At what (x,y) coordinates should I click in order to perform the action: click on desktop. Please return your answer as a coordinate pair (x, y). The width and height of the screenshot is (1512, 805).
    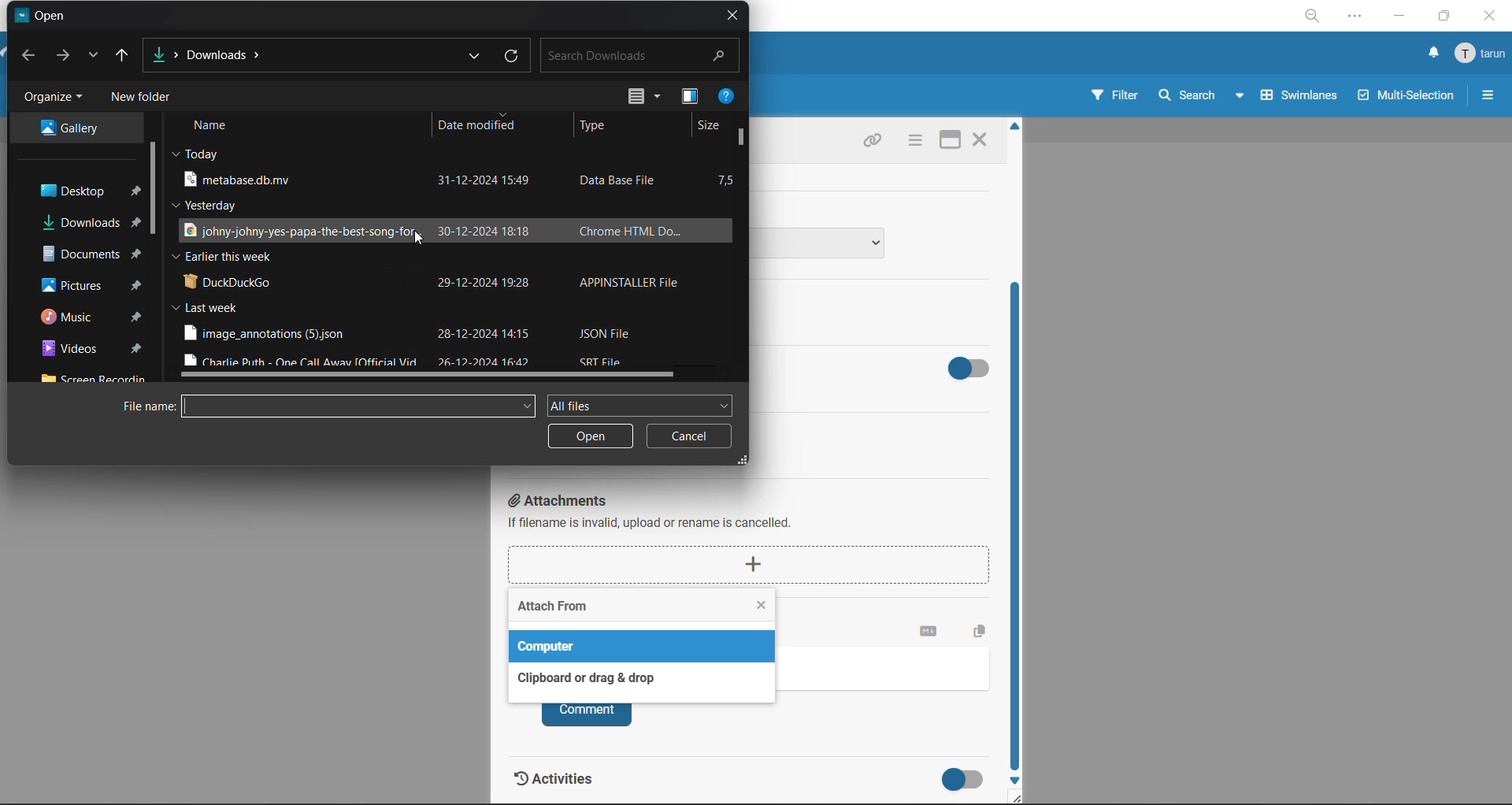
    Looking at the image, I should click on (75, 190).